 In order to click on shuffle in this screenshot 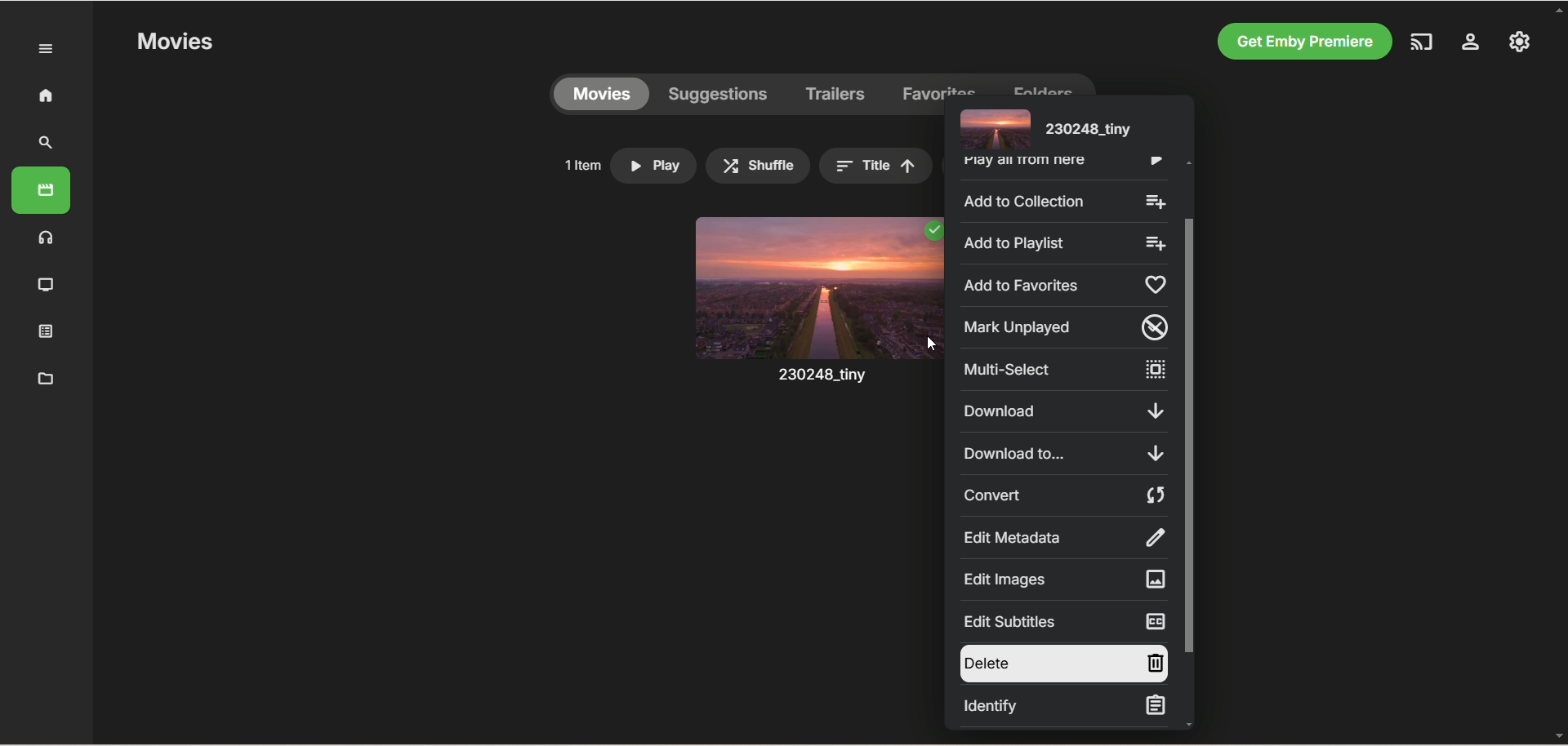, I will do `click(758, 166)`.